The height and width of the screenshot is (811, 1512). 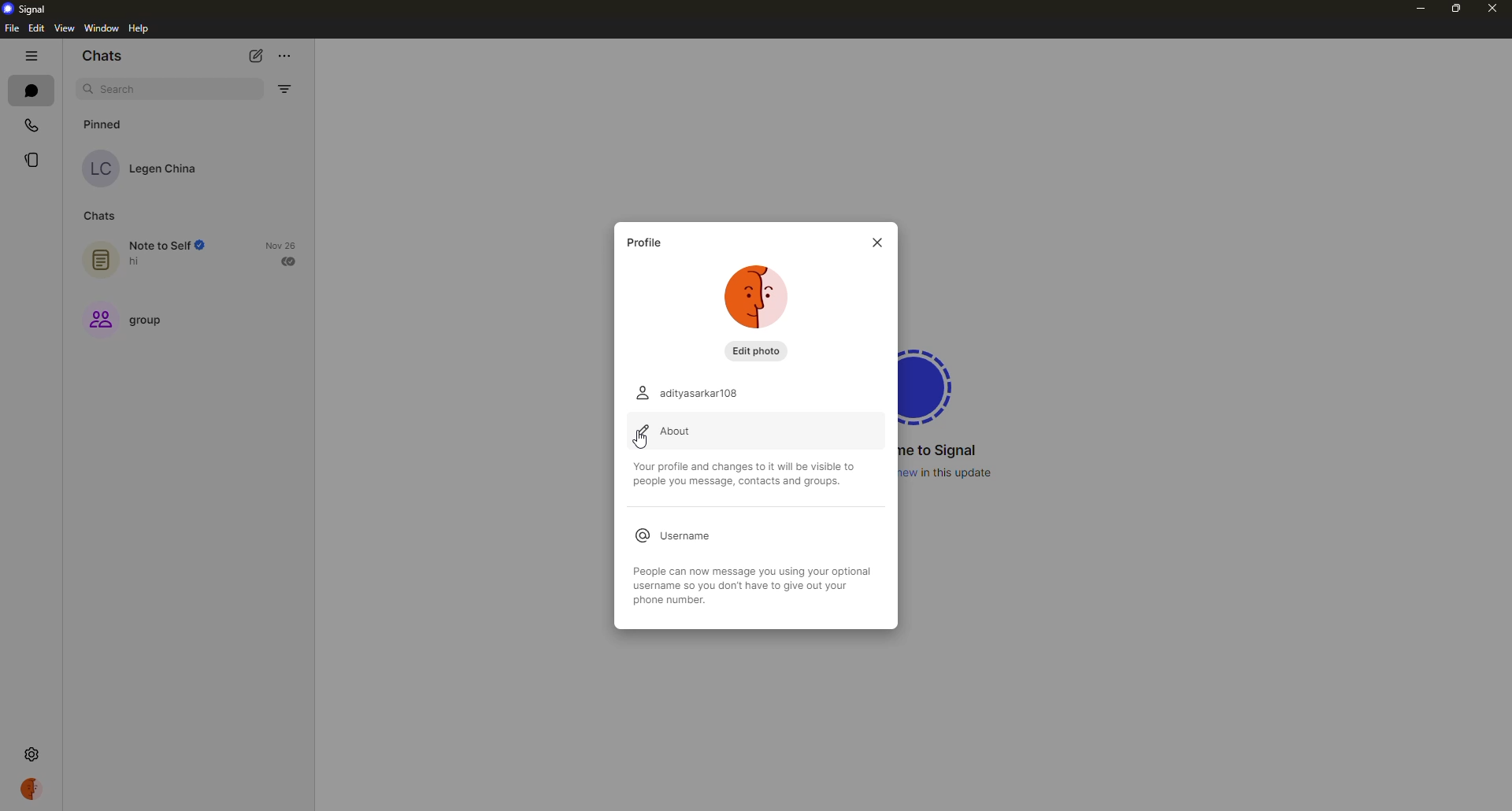 What do you see at coordinates (63, 29) in the screenshot?
I see `view` at bounding box center [63, 29].